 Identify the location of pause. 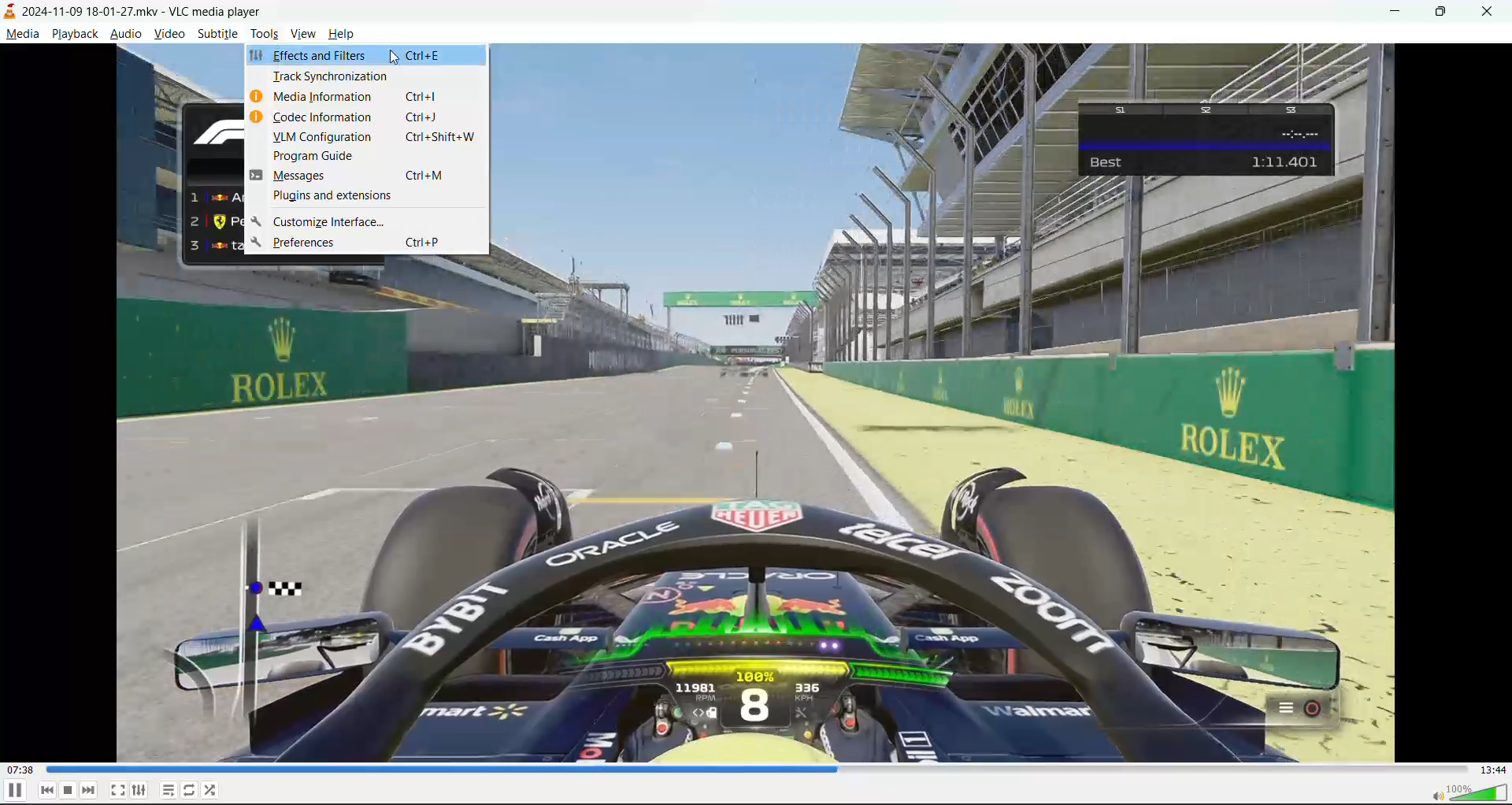
(14, 791).